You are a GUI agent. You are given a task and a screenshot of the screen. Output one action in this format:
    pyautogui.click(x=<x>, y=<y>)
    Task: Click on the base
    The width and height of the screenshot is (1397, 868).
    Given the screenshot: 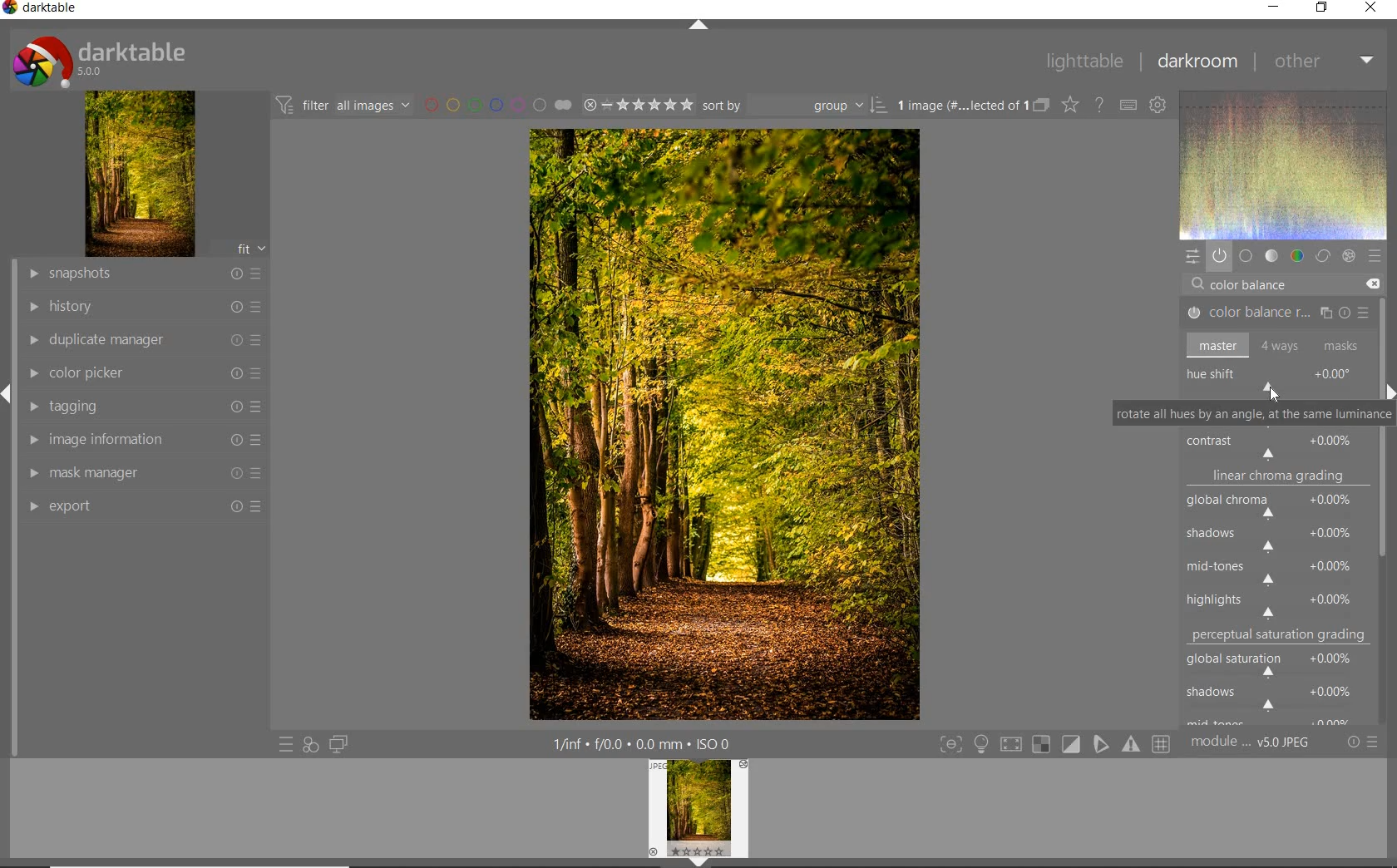 What is the action you would take?
    pyautogui.click(x=1246, y=256)
    